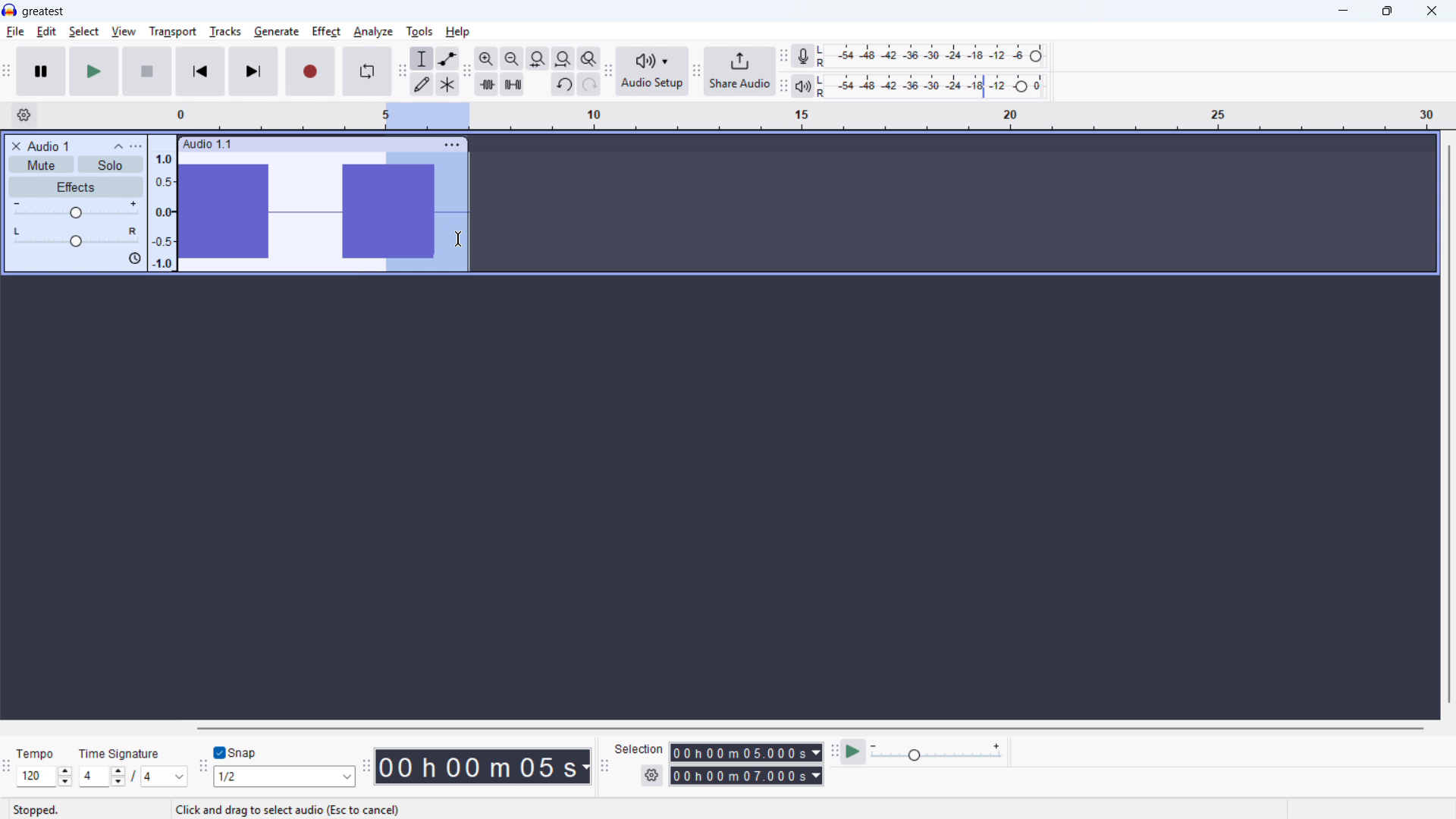 The height and width of the screenshot is (819, 1456). Describe the element at coordinates (124, 33) in the screenshot. I see `view` at that location.